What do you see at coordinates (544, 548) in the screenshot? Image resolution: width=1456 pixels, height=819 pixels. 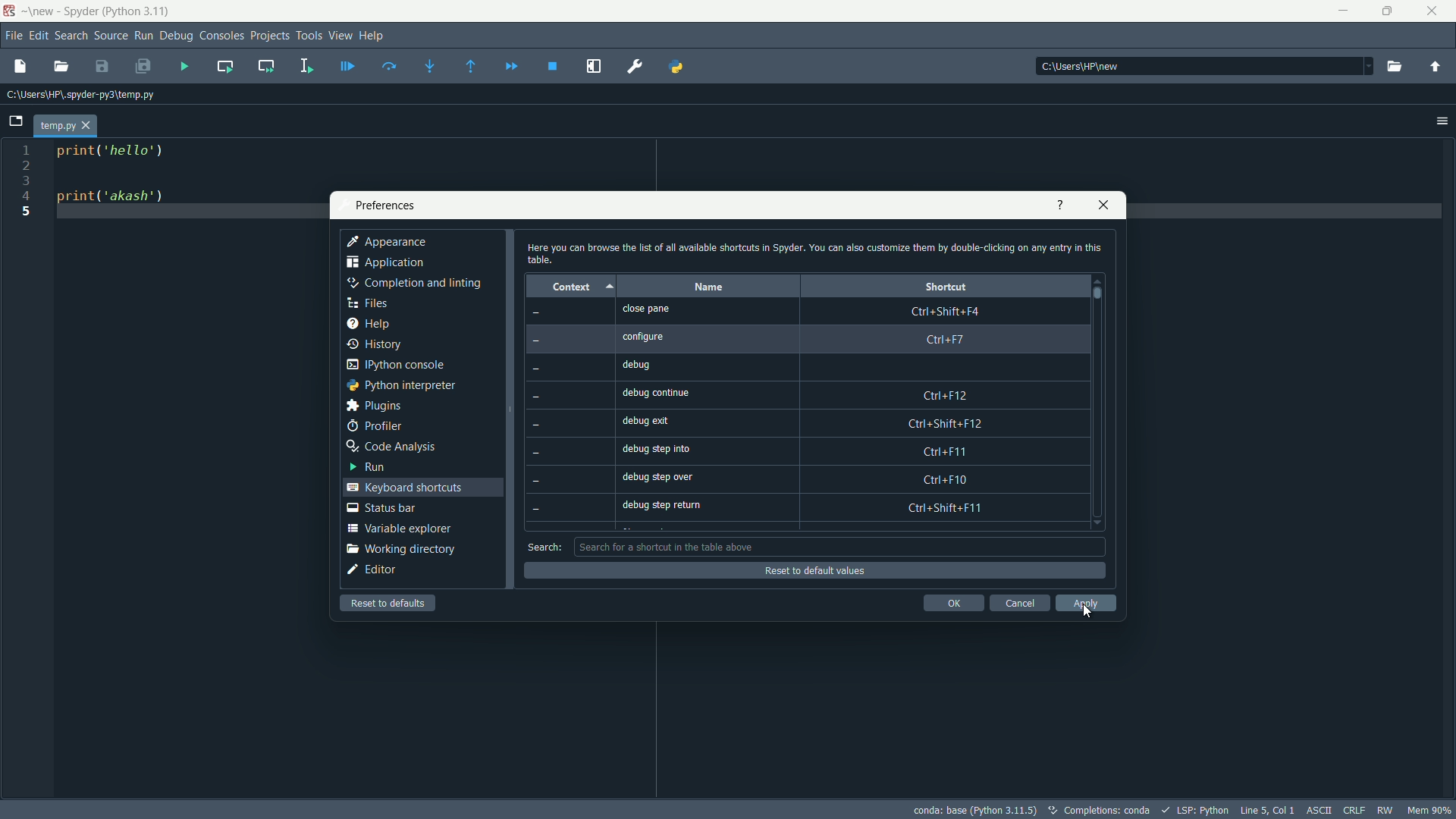 I see `search` at bounding box center [544, 548].